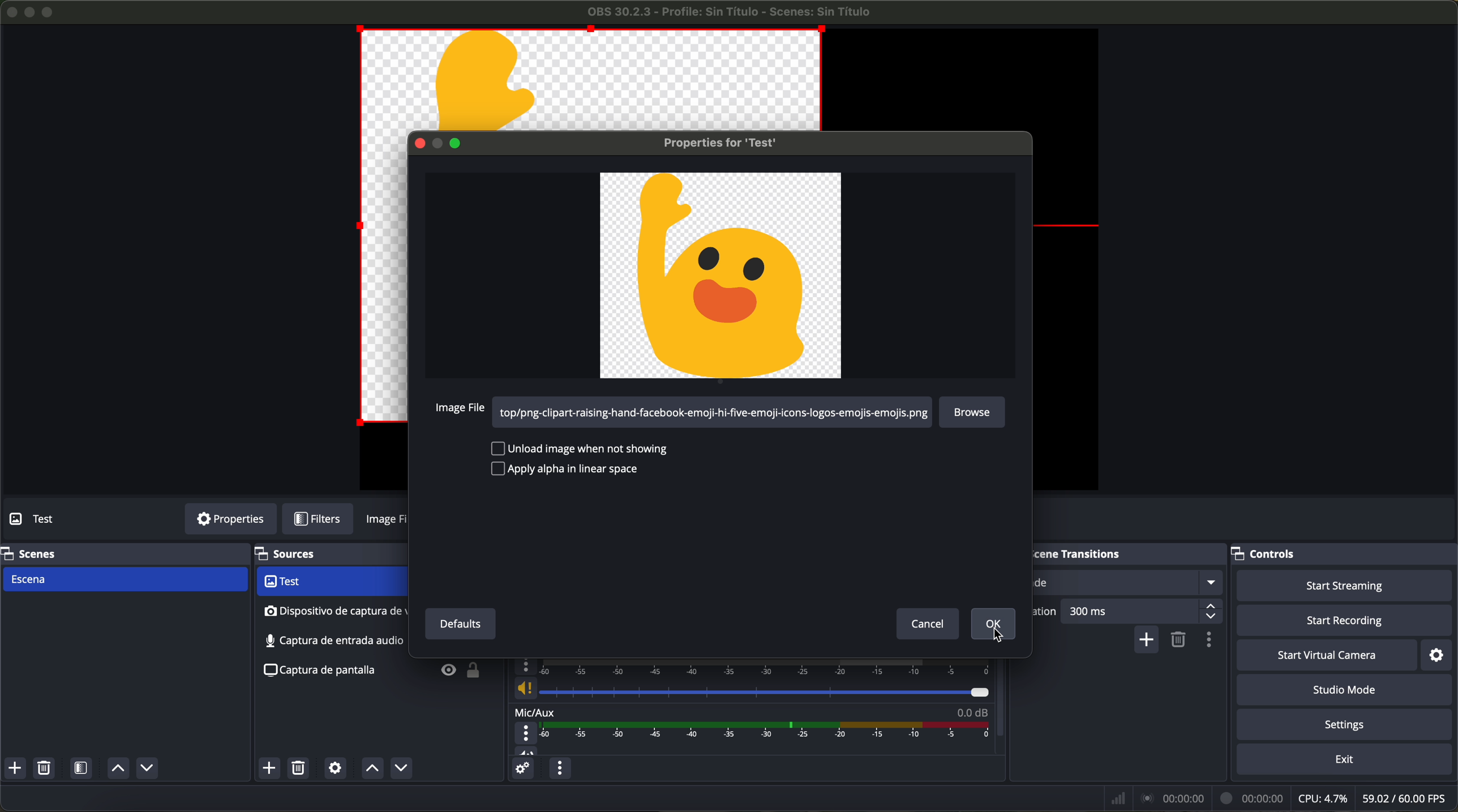  Describe the element at coordinates (461, 674) in the screenshot. I see `unloack/visible` at that location.